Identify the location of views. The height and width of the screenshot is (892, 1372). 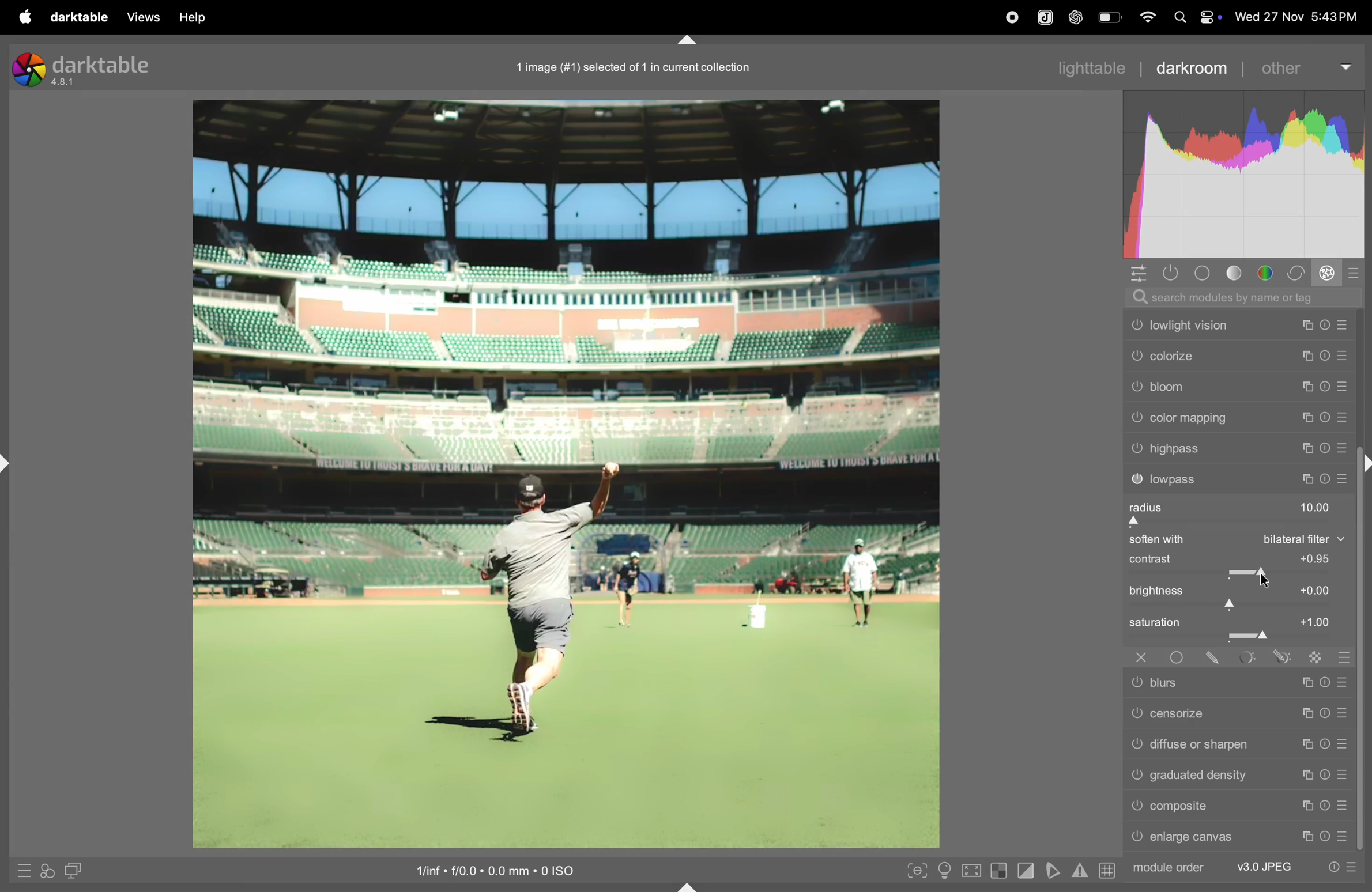
(138, 17).